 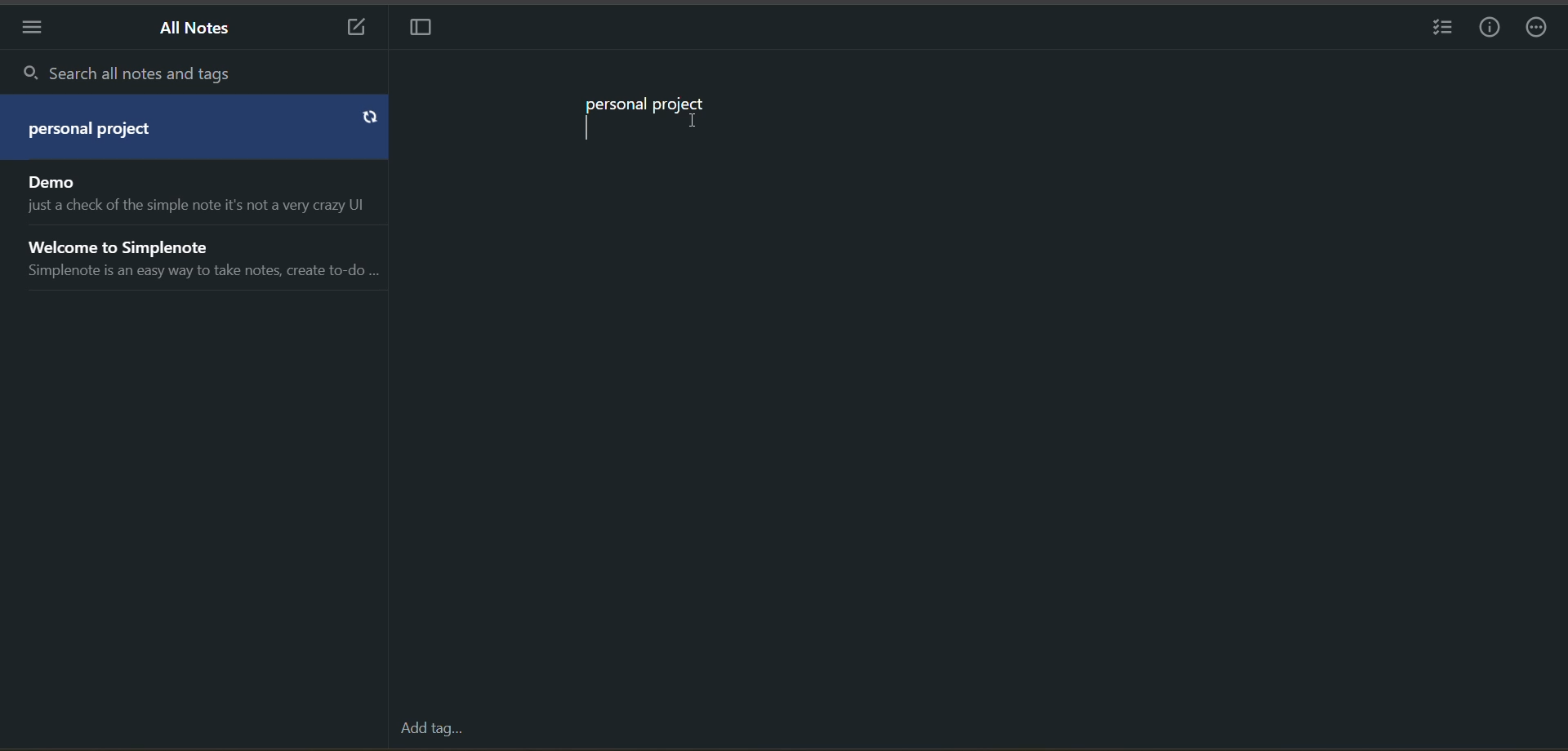 What do you see at coordinates (348, 29) in the screenshot?
I see `new note` at bounding box center [348, 29].